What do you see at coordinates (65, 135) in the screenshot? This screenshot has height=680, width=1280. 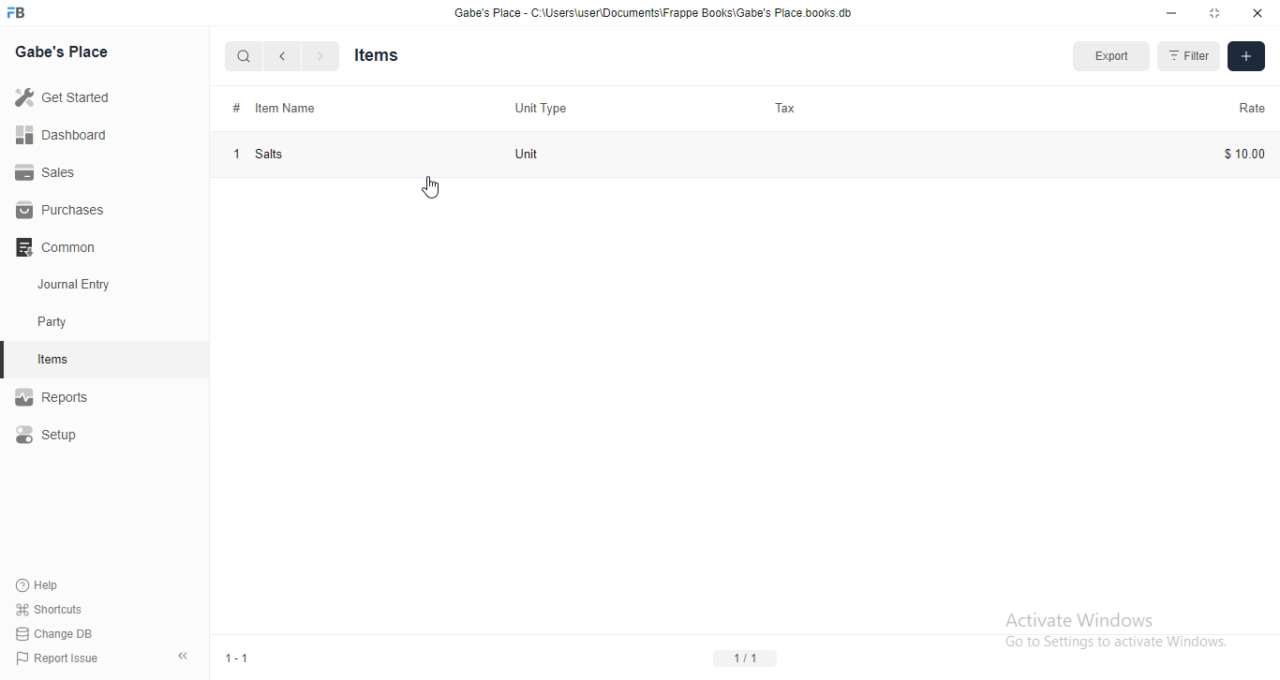 I see `Dashboard` at bounding box center [65, 135].